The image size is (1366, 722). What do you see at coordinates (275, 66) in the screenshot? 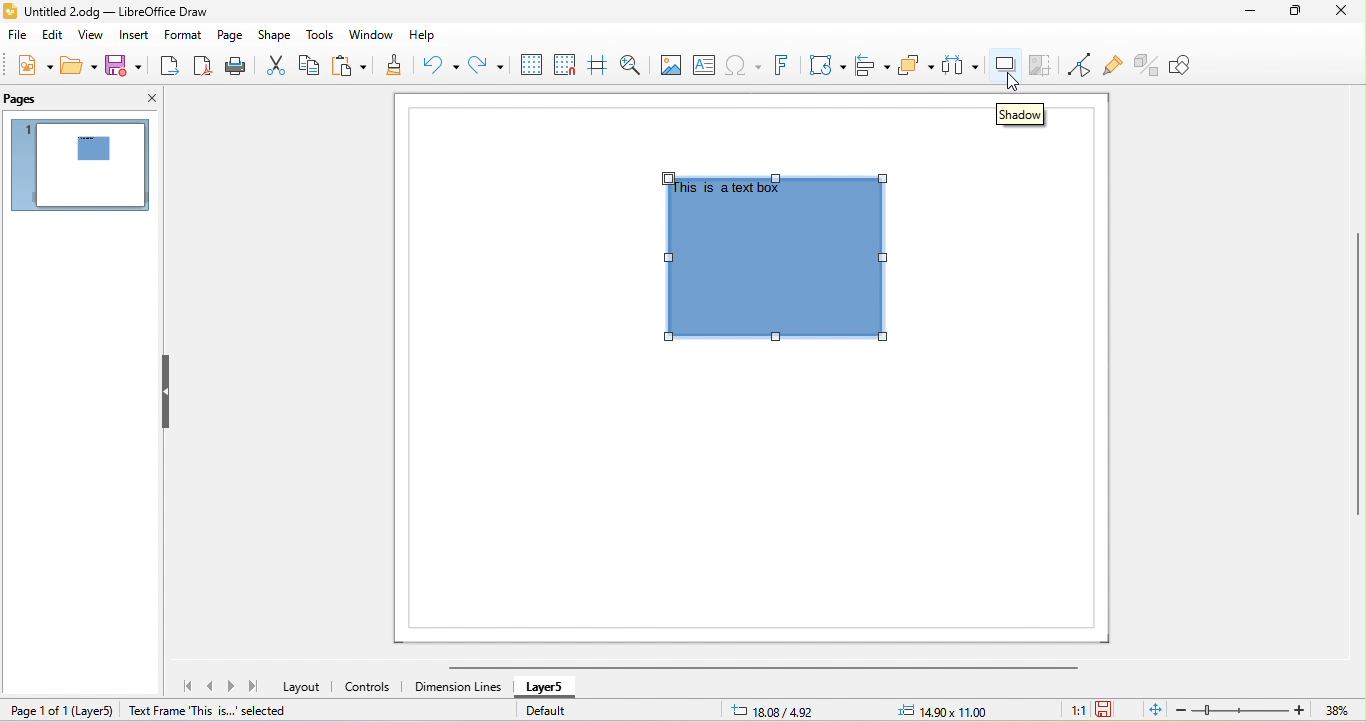
I see `cut` at bounding box center [275, 66].